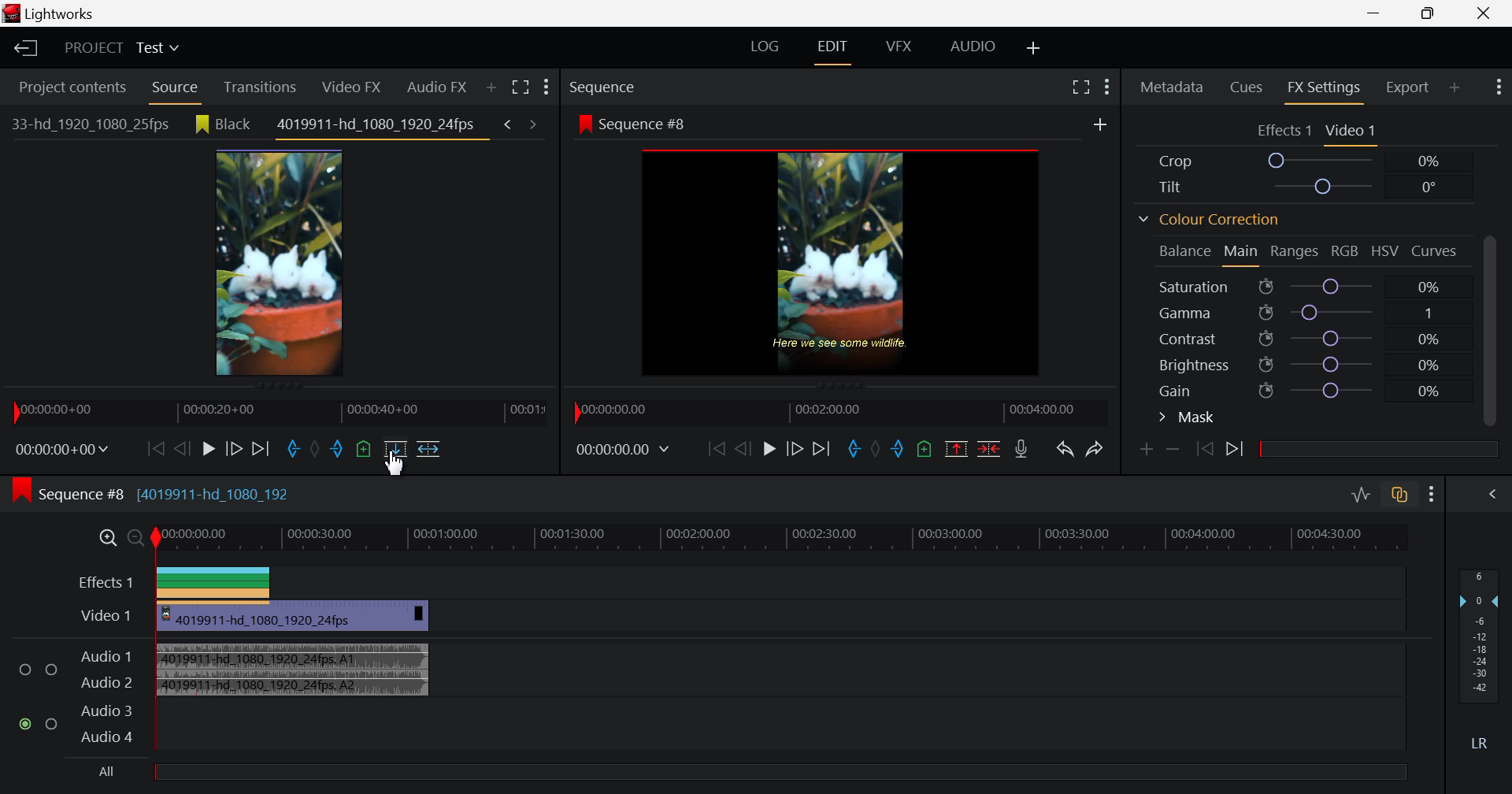 The image size is (1512, 794). Describe the element at coordinates (1452, 88) in the screenshot. I see `Add Panel` at that location.